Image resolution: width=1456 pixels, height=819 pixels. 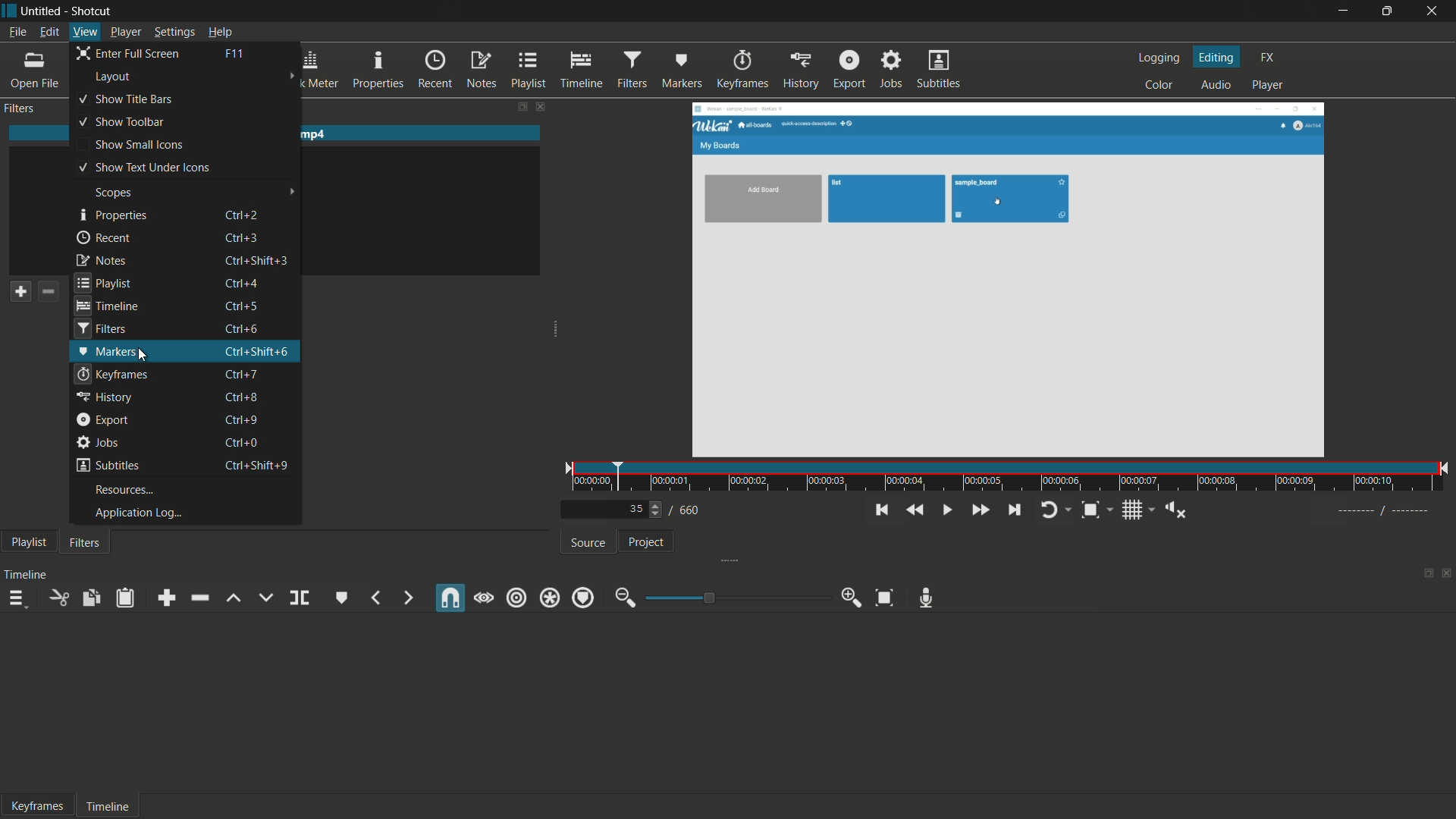 I want to click on toggle player looping, so click(x=1055, y=510).